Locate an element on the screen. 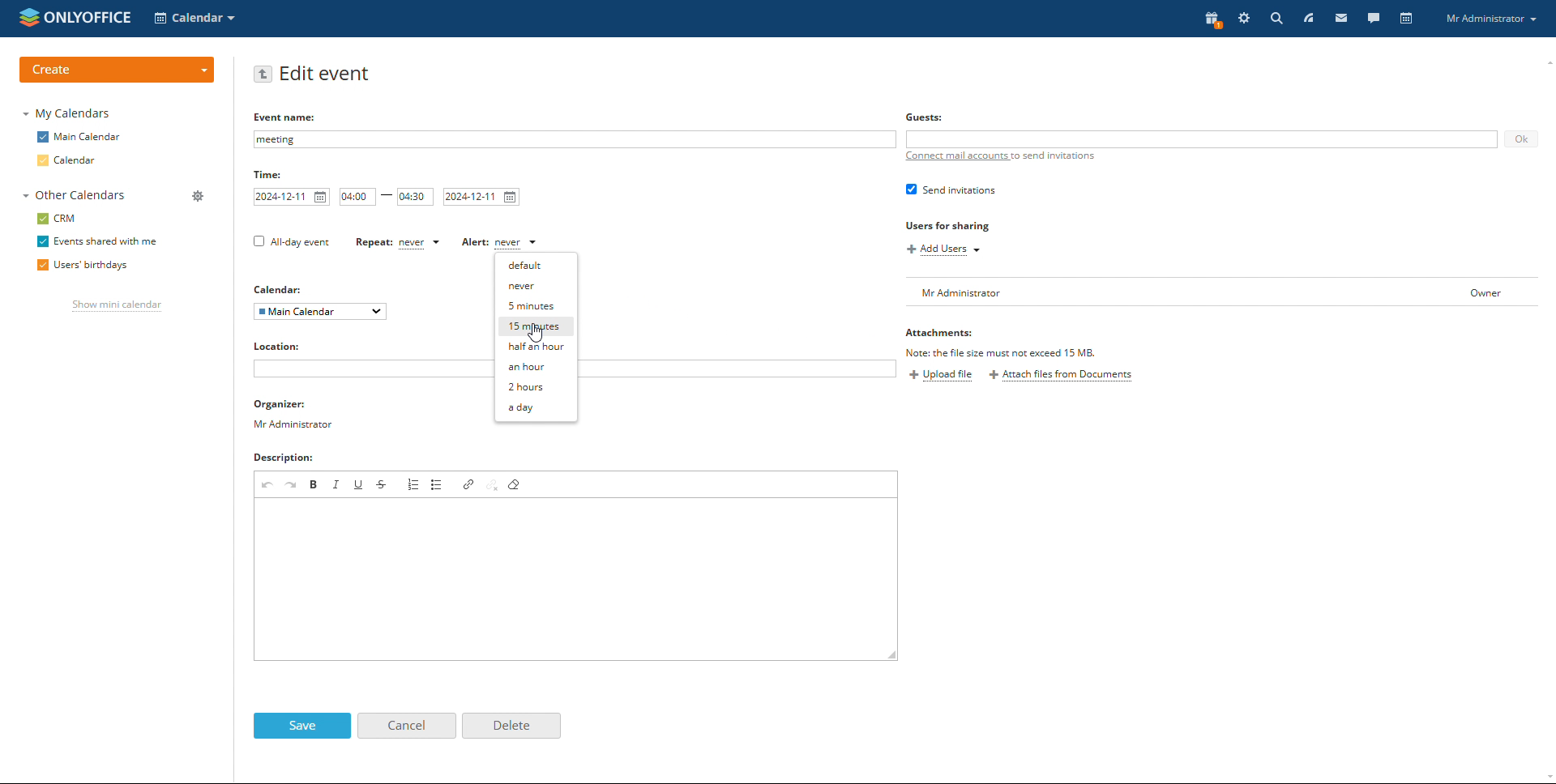 The height and width of the screenshot is (784, 1556). 5 minutes is located at coordinates (537, 305).